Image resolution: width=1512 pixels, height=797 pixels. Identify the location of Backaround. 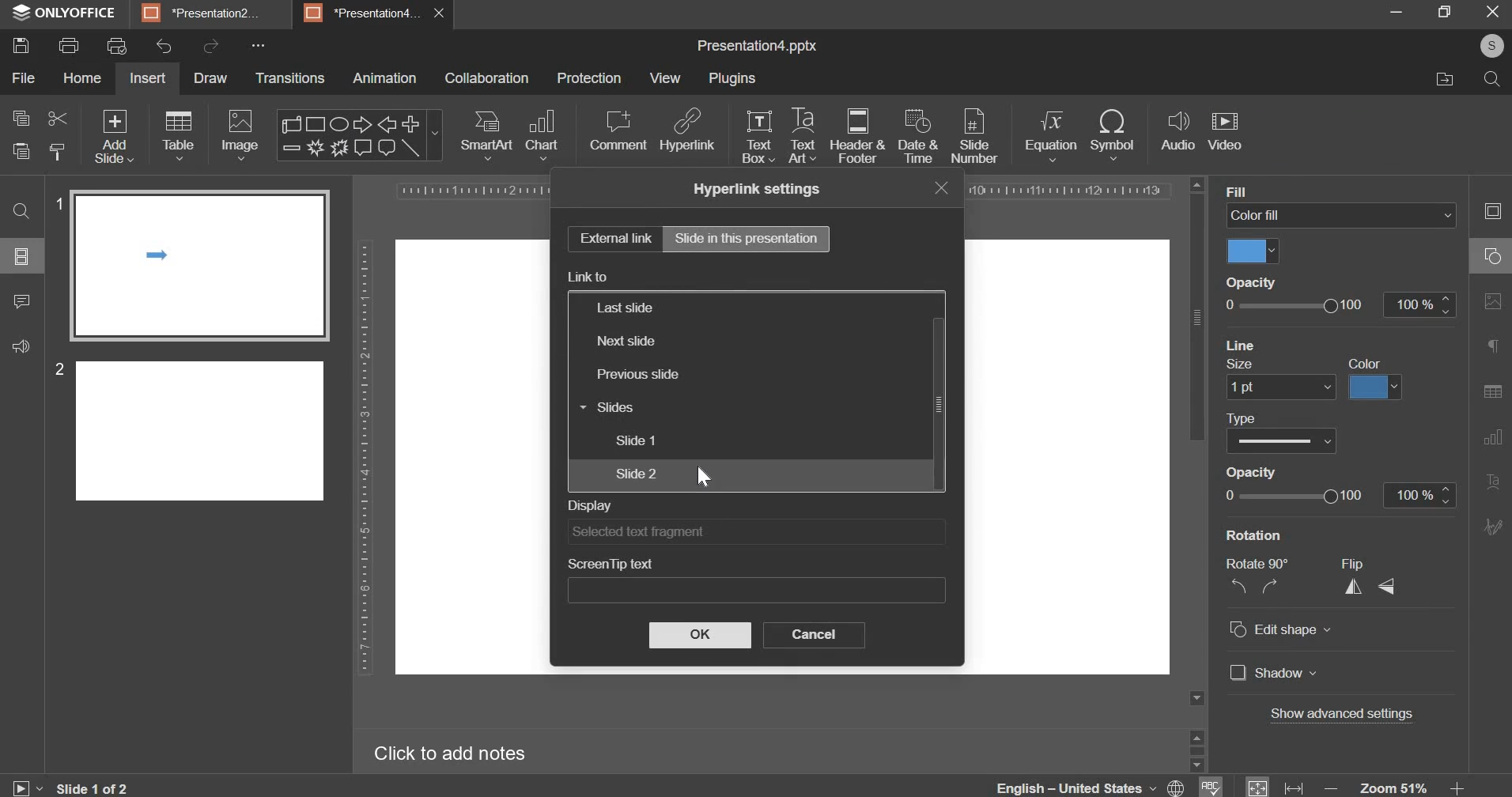
(1268, 191).